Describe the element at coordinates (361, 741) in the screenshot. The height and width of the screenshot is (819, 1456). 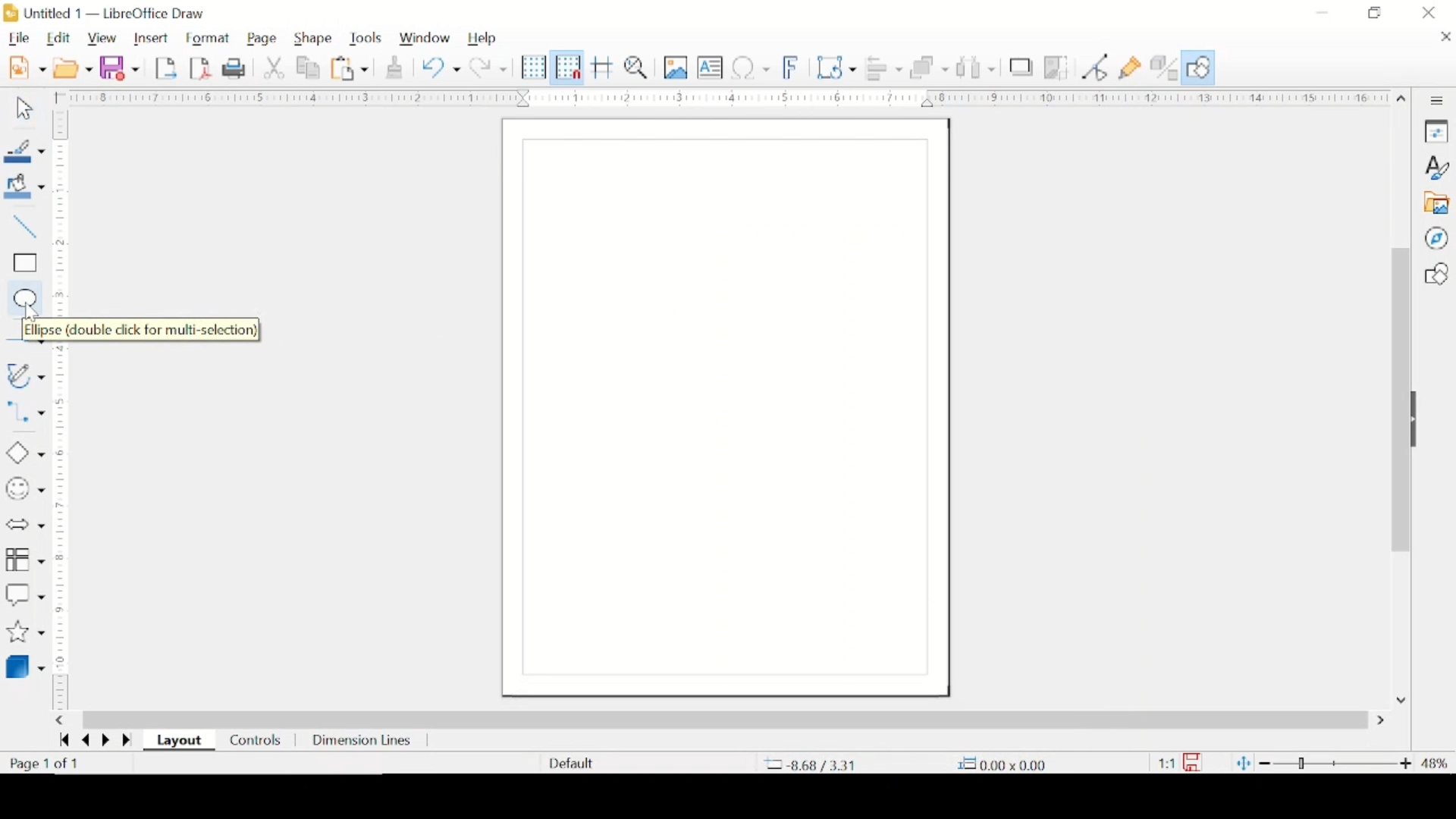
I see `dimension lines` at that location.